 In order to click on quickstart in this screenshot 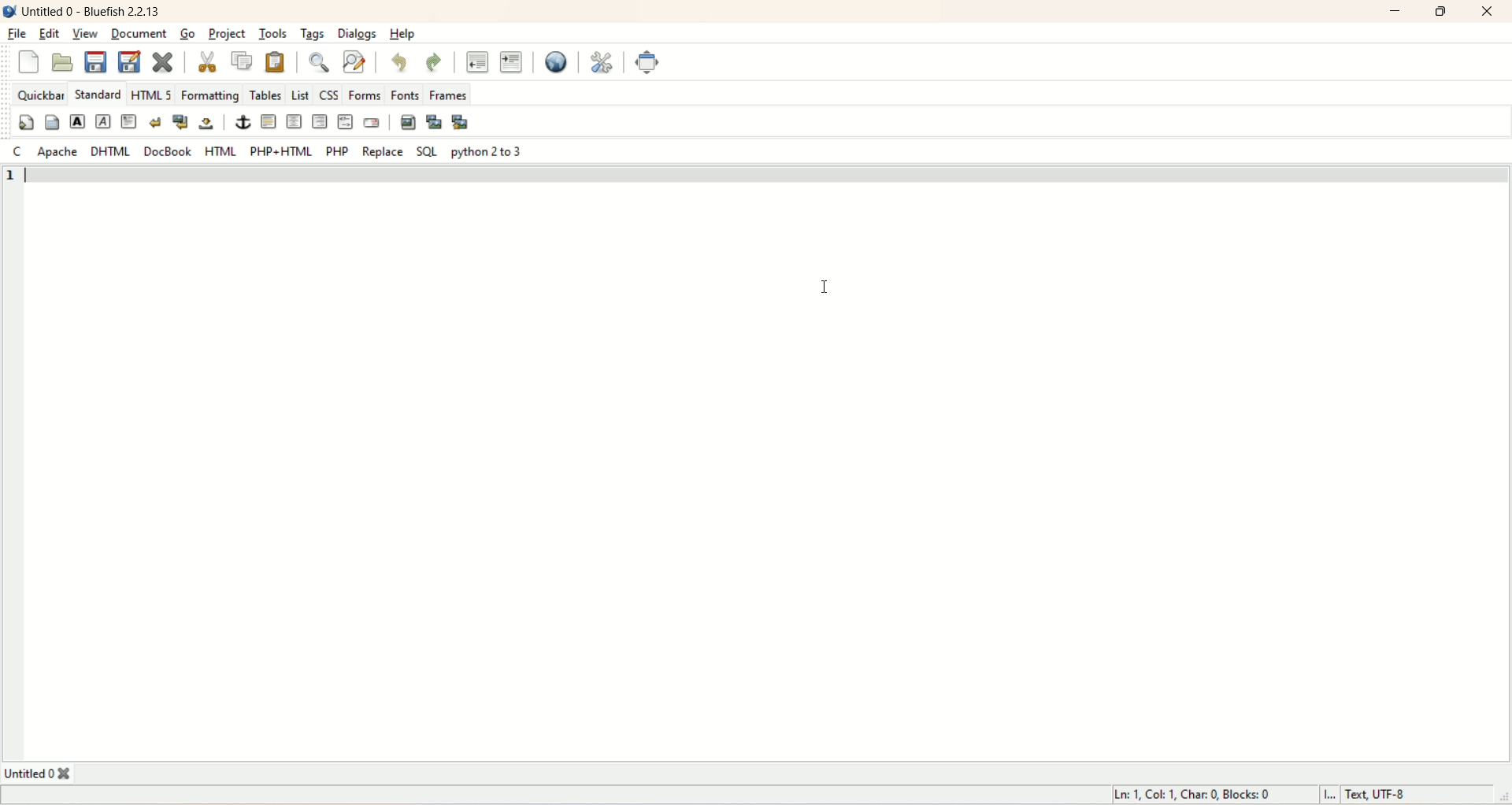, I will do `click(28, 124)`.